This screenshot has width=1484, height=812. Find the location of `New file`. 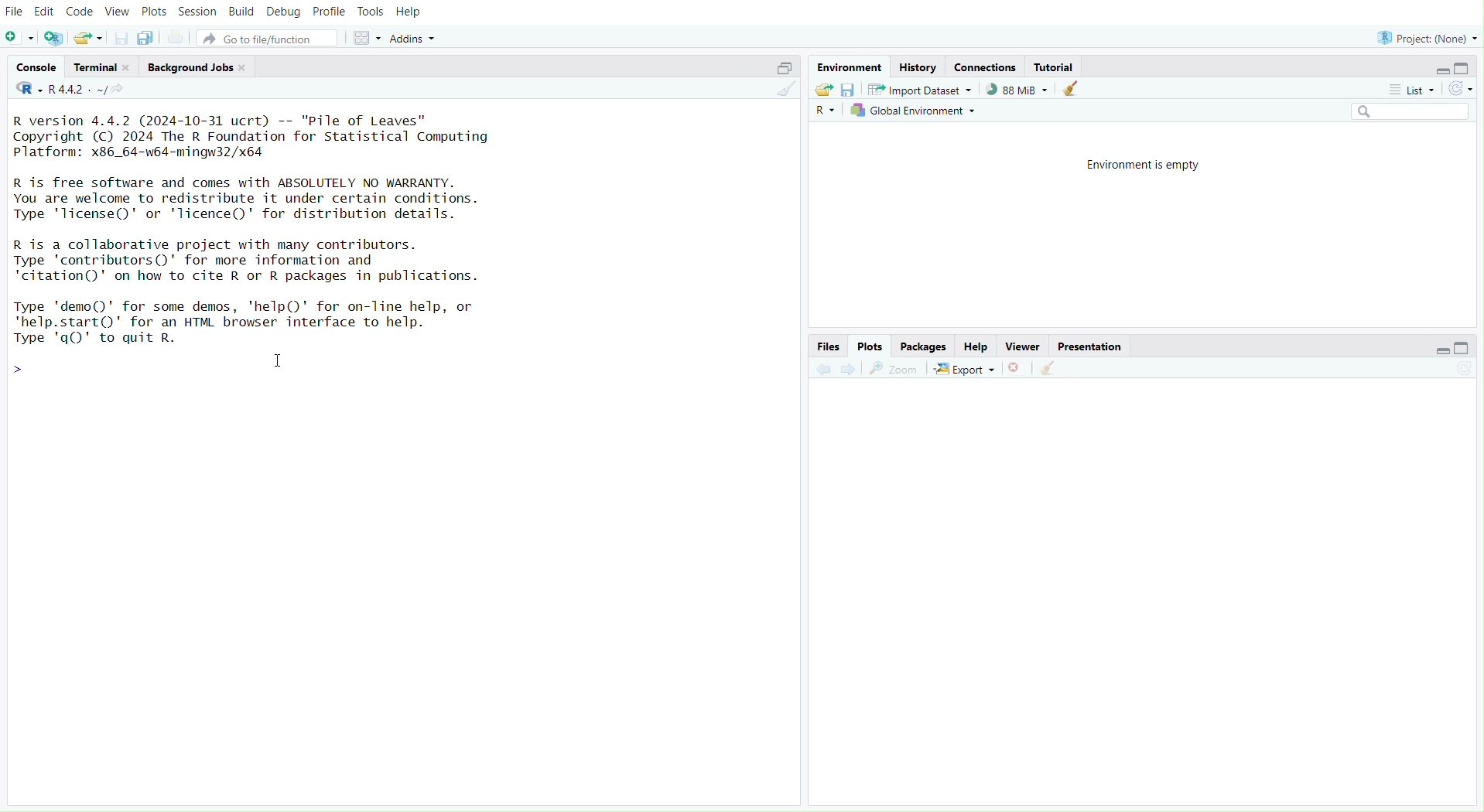

New file is located at coordinates (19, 37).